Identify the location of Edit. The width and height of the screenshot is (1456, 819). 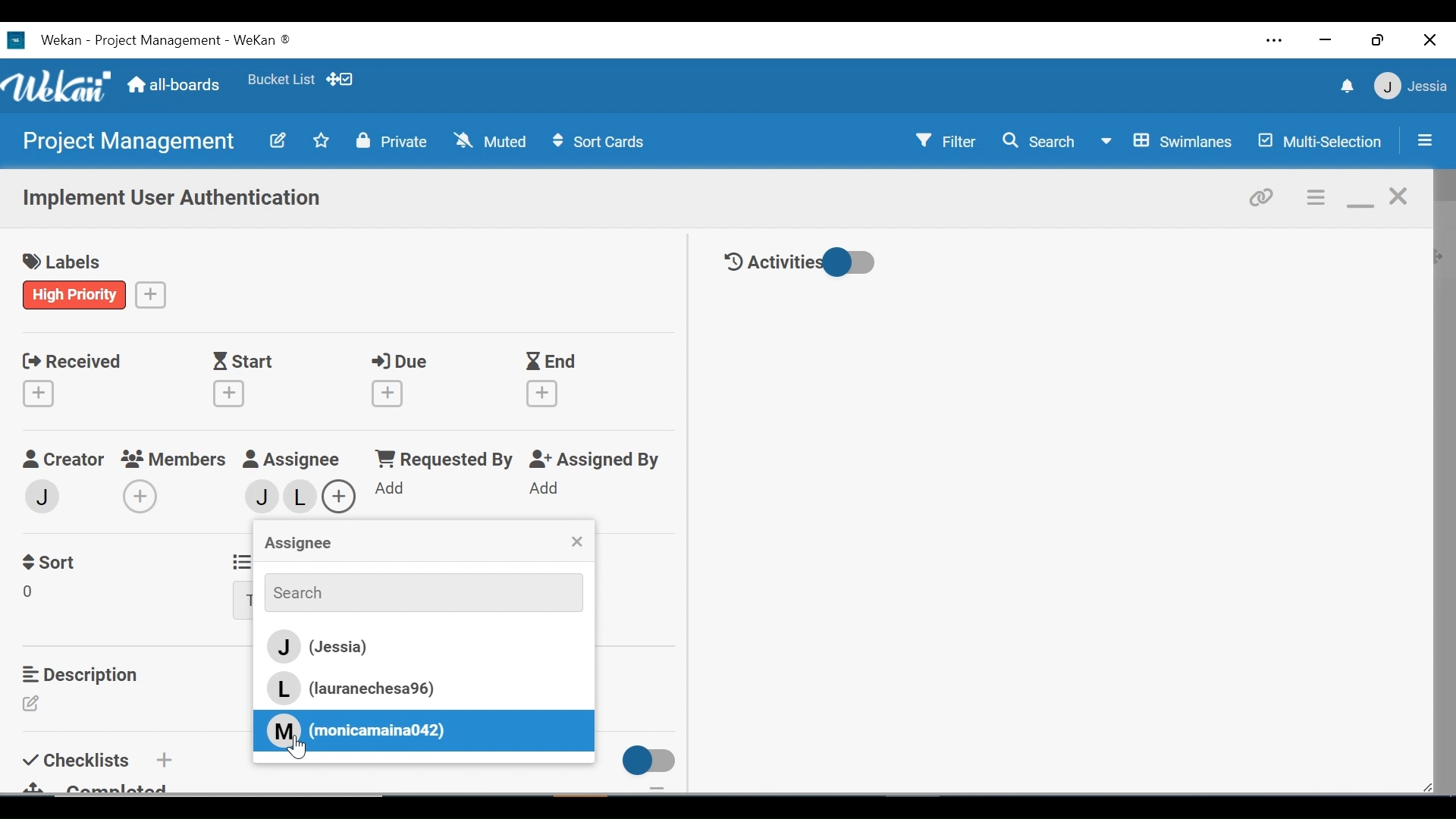
(36, 704).